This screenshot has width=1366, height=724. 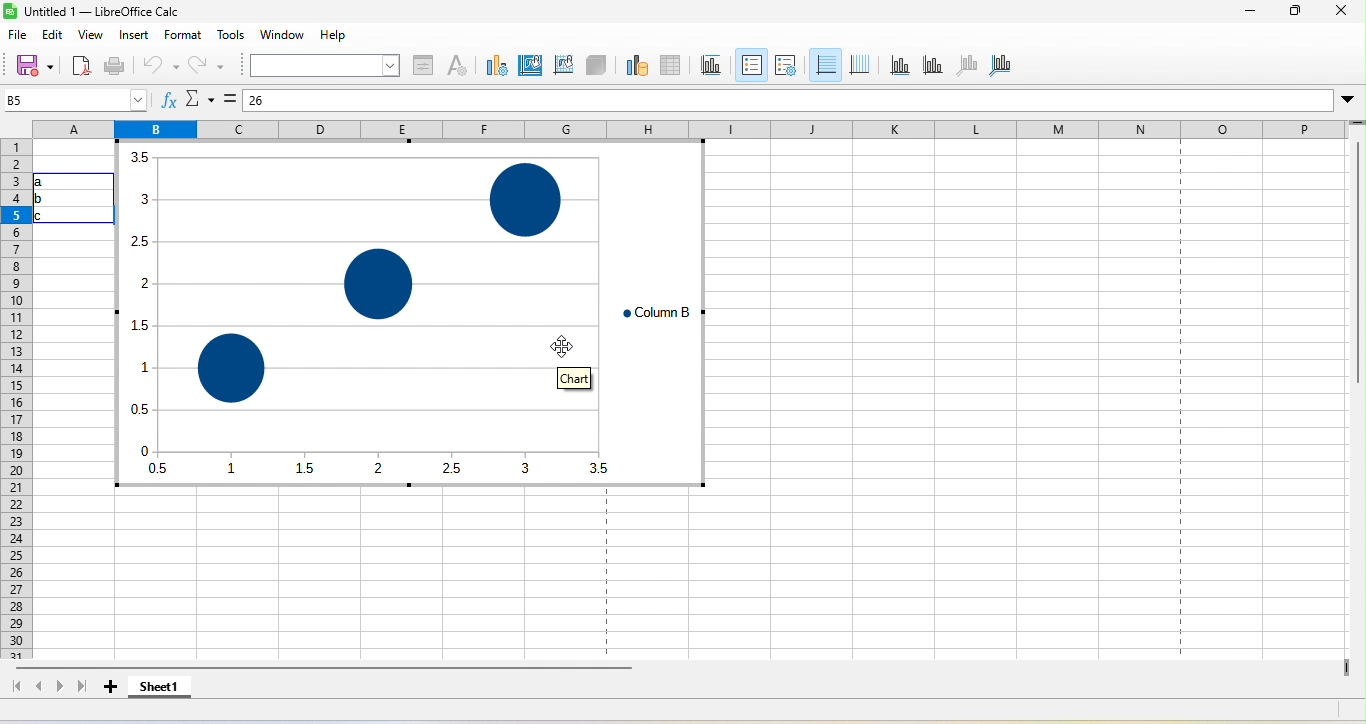 I want to click on sheet 1, so click(x=161, y=690).